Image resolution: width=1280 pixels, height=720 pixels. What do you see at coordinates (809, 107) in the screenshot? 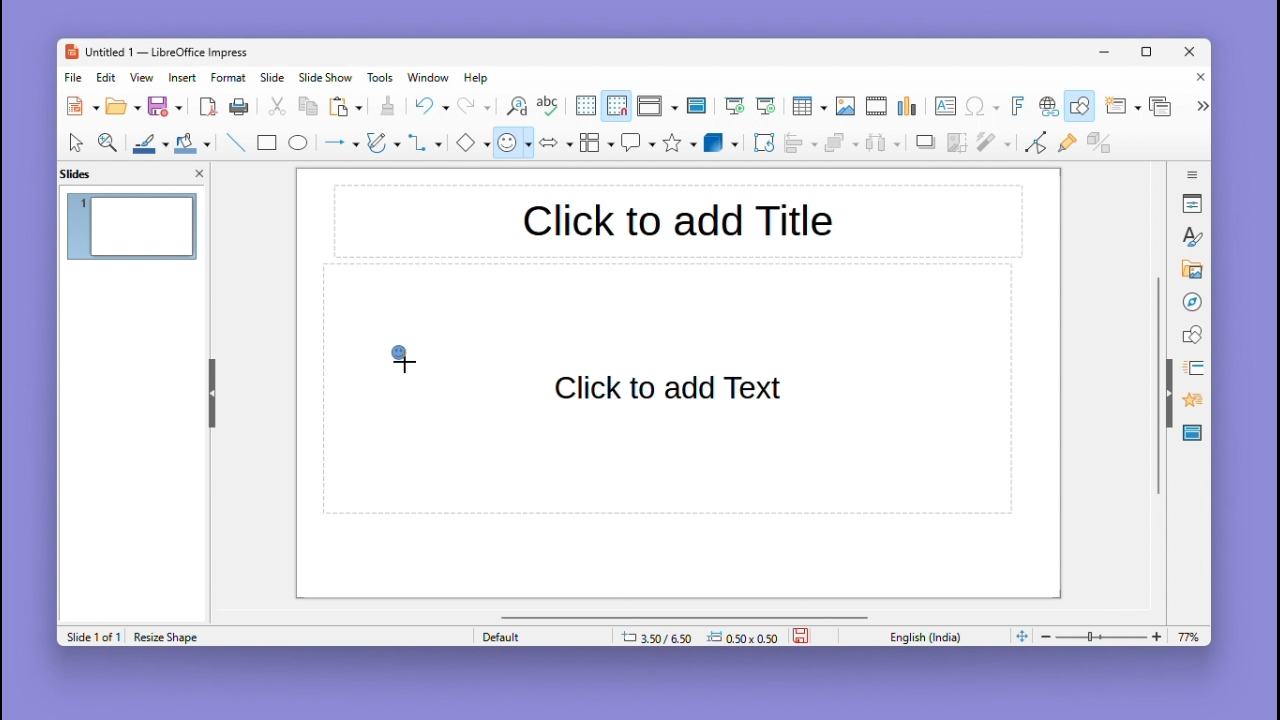
I see `Table` at bounding box center [809, 107].